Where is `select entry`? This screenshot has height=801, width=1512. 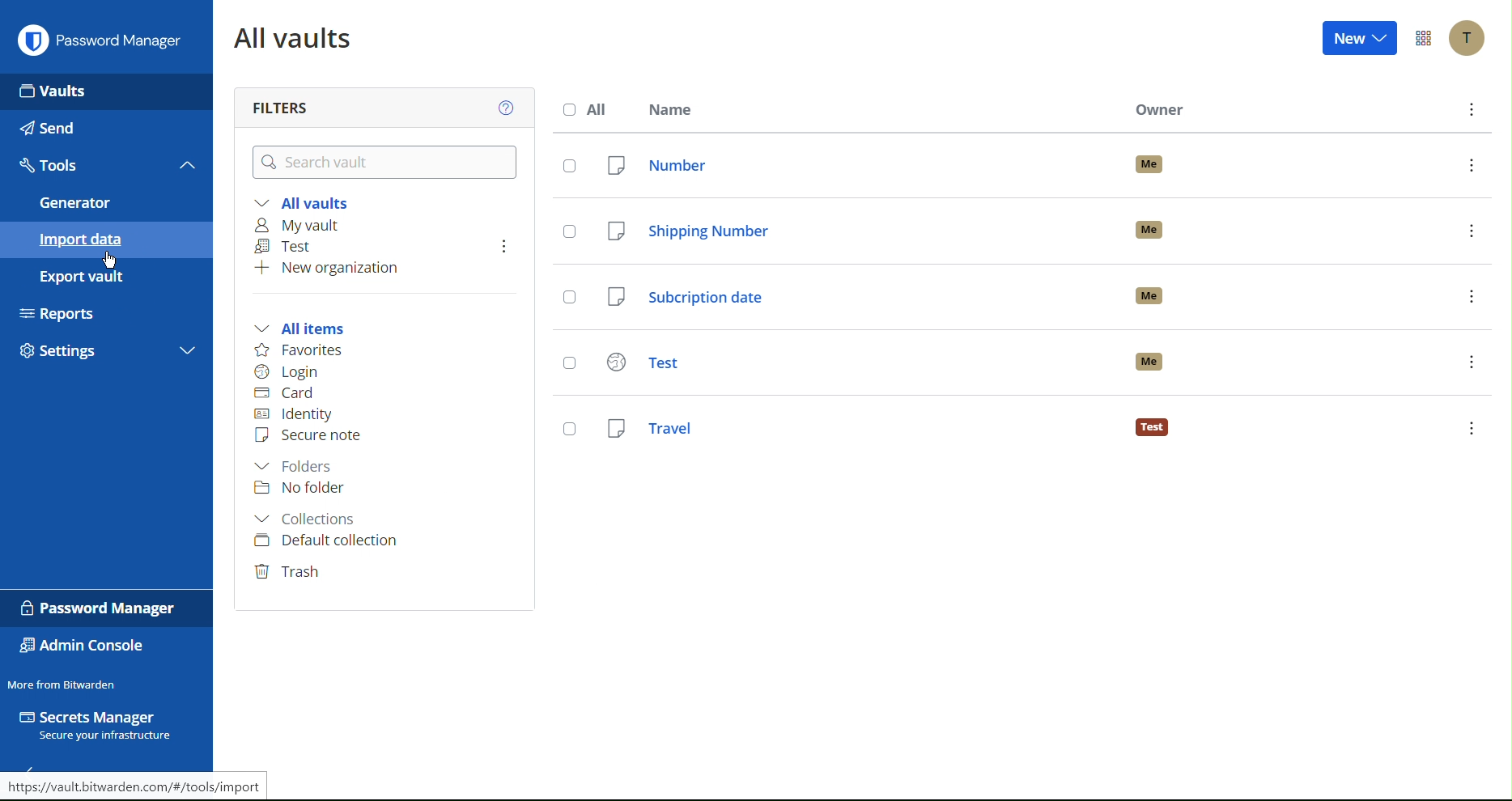 select entry is located at coordinates (568, 364).